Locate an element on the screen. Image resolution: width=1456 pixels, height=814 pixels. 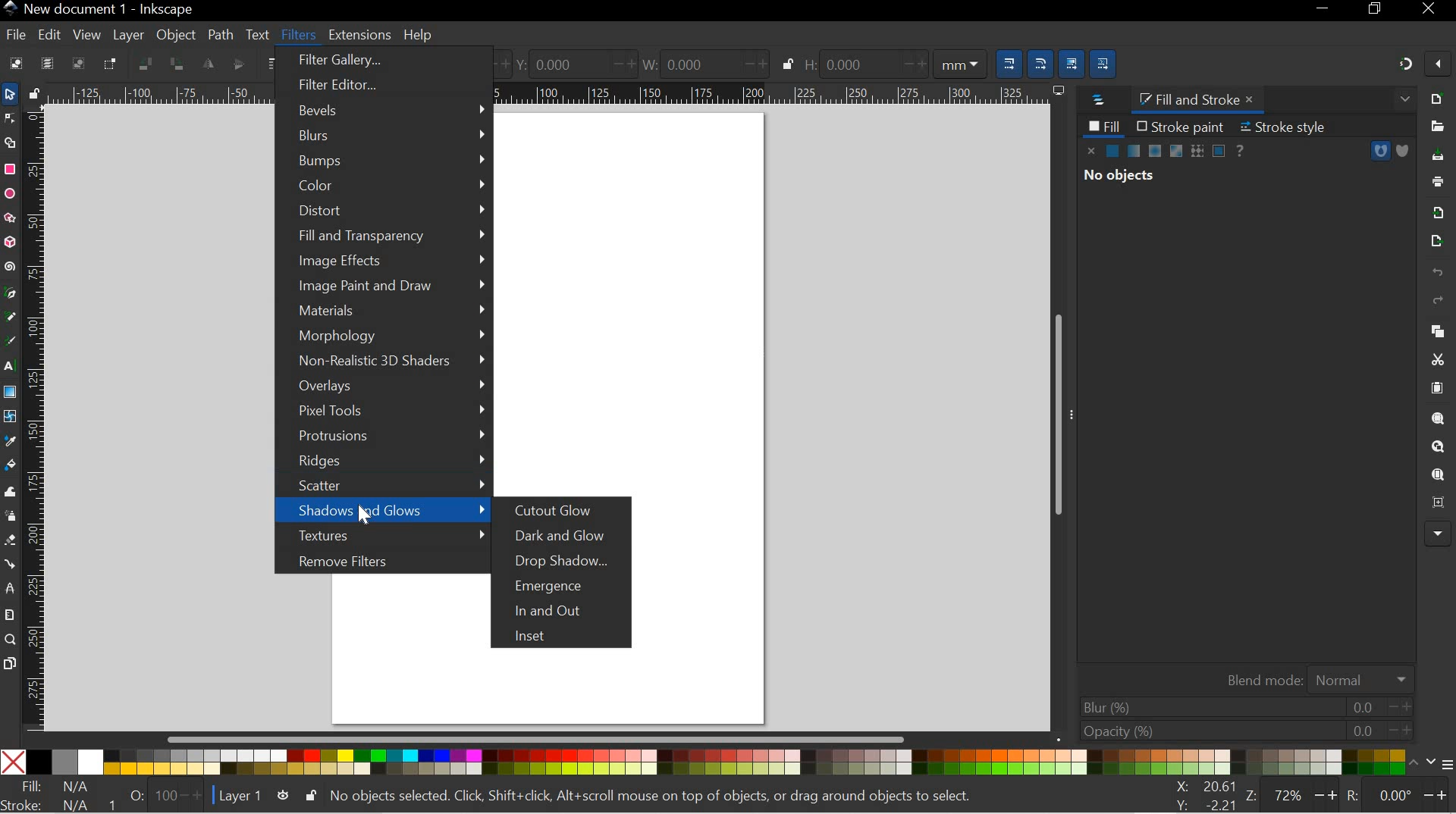
Y-AXIS is located at coordinates (570, 63).